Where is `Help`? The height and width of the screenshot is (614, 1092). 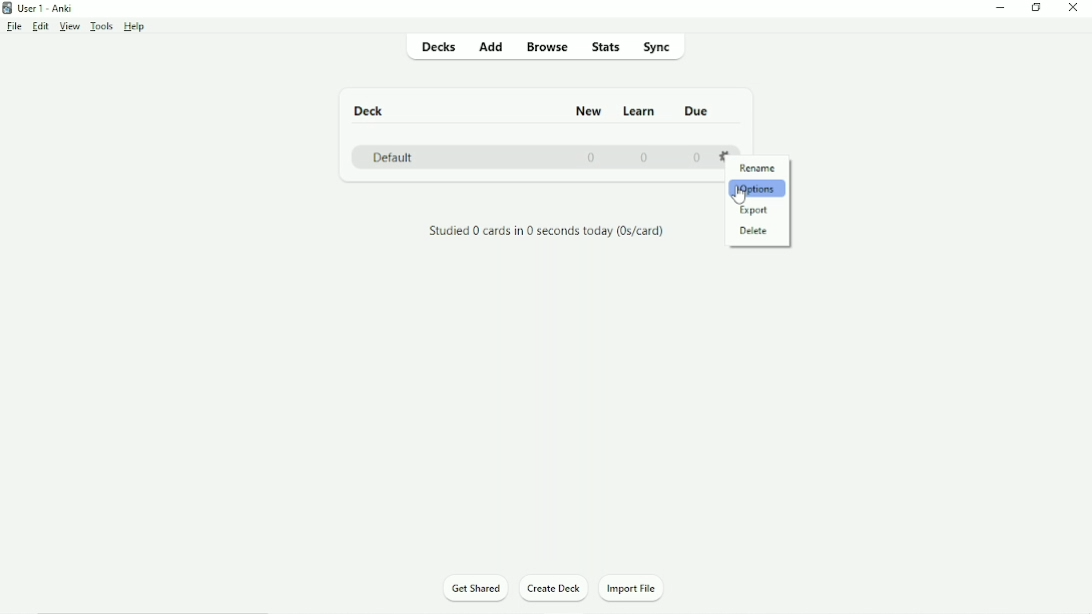
Help is located at coordinates (136, 27).